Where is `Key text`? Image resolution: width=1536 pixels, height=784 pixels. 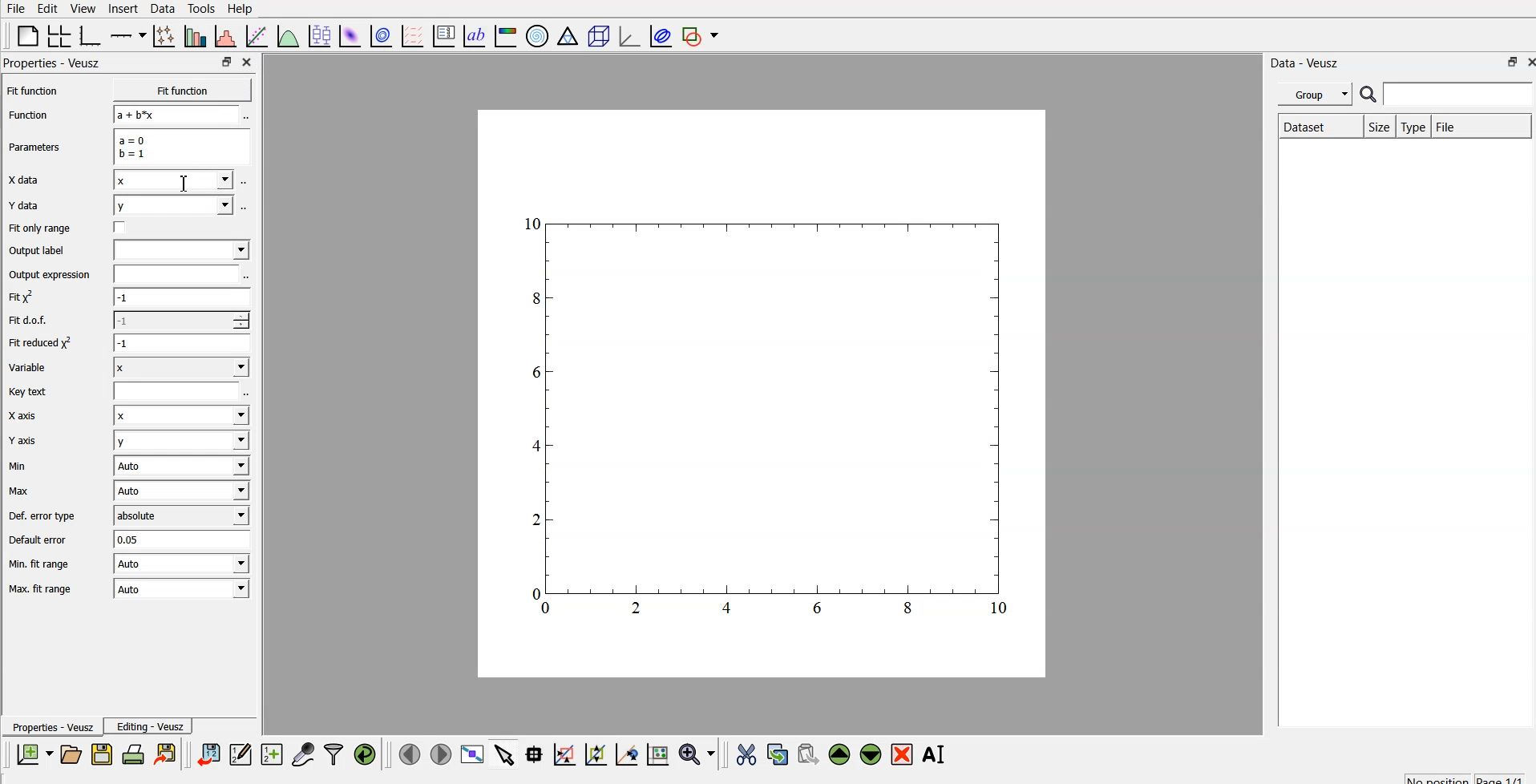
Key text is located at coordinates (38, 393).